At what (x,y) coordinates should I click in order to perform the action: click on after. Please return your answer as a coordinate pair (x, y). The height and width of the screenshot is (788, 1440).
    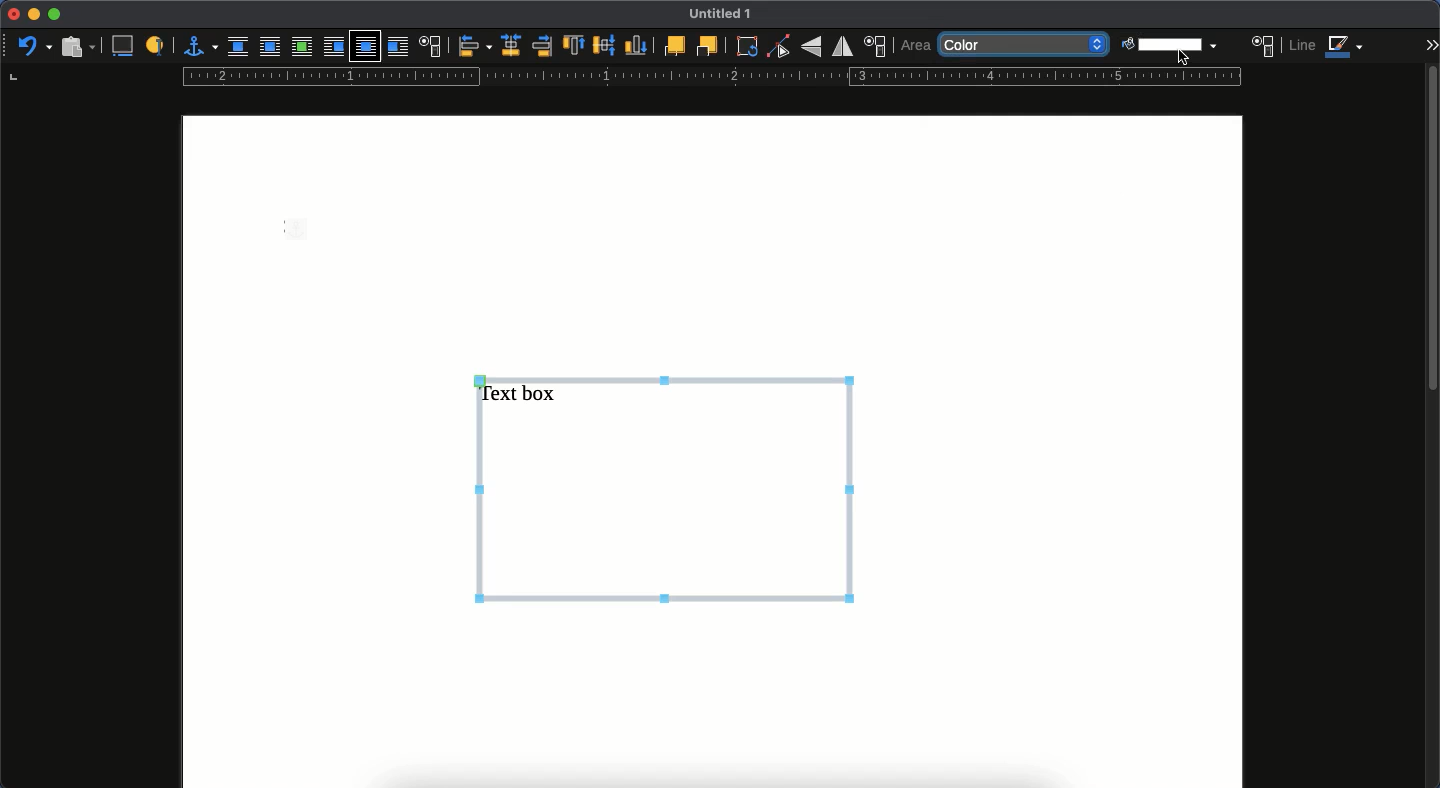
    Looking at the image, I should click on (400, 49).